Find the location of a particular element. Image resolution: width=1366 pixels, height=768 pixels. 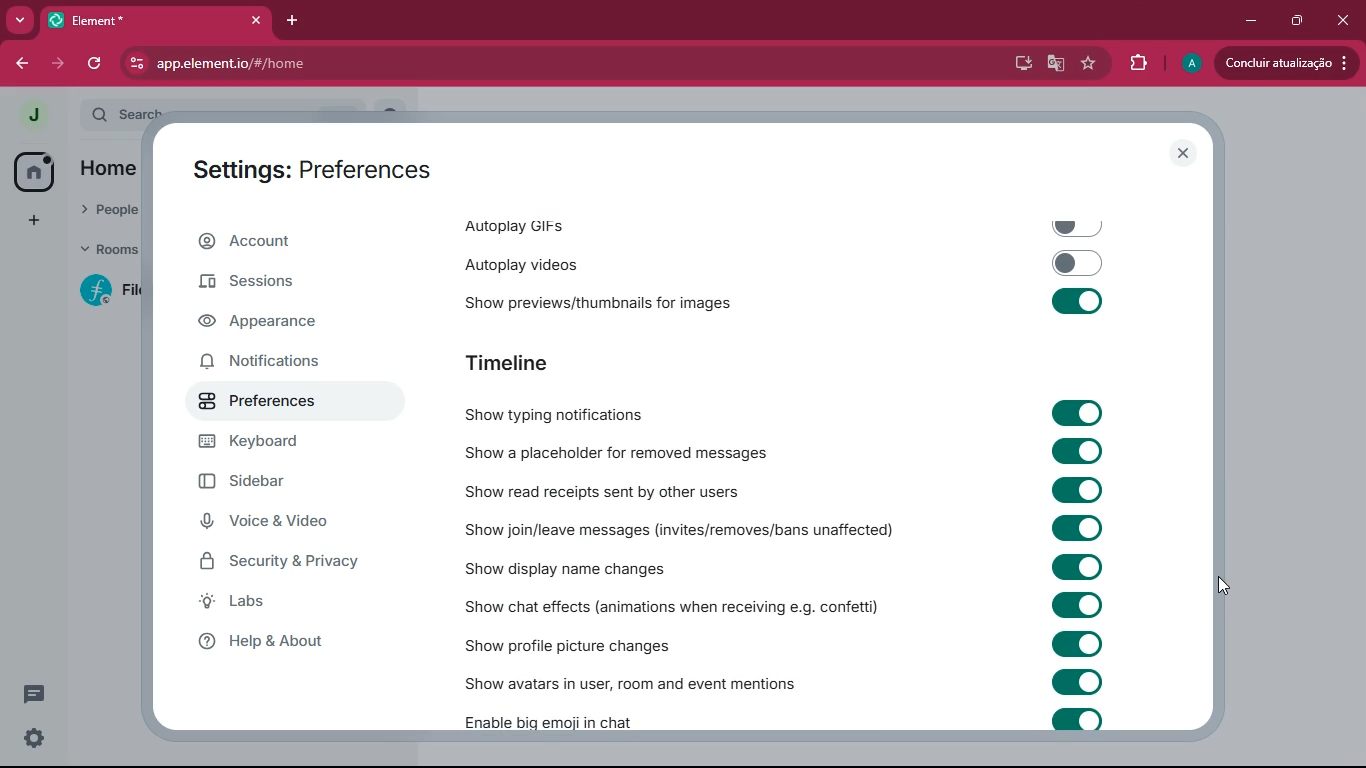

view profile  is located at coordinates (26, 115).